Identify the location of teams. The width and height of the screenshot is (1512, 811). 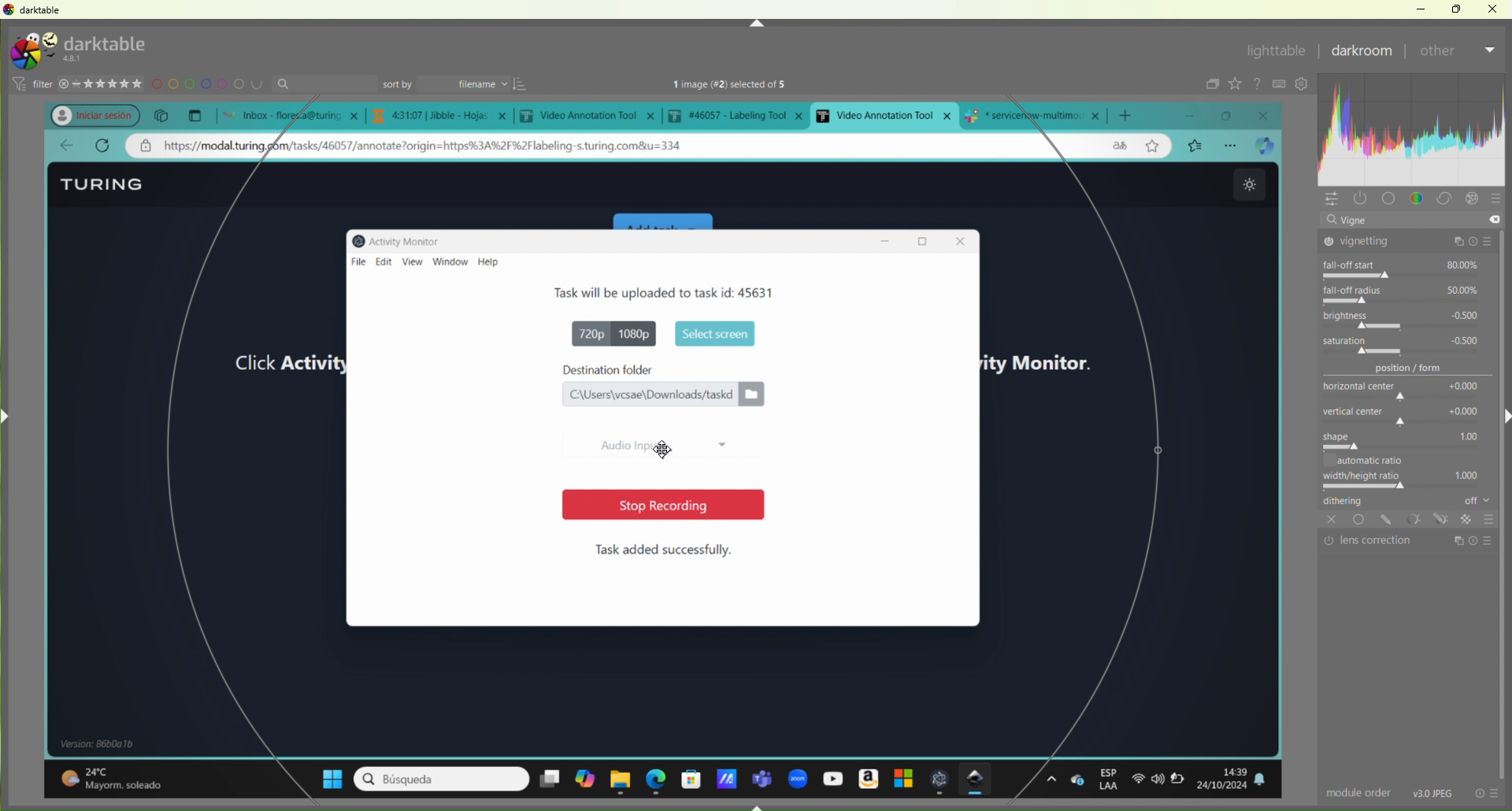
(763, 774).